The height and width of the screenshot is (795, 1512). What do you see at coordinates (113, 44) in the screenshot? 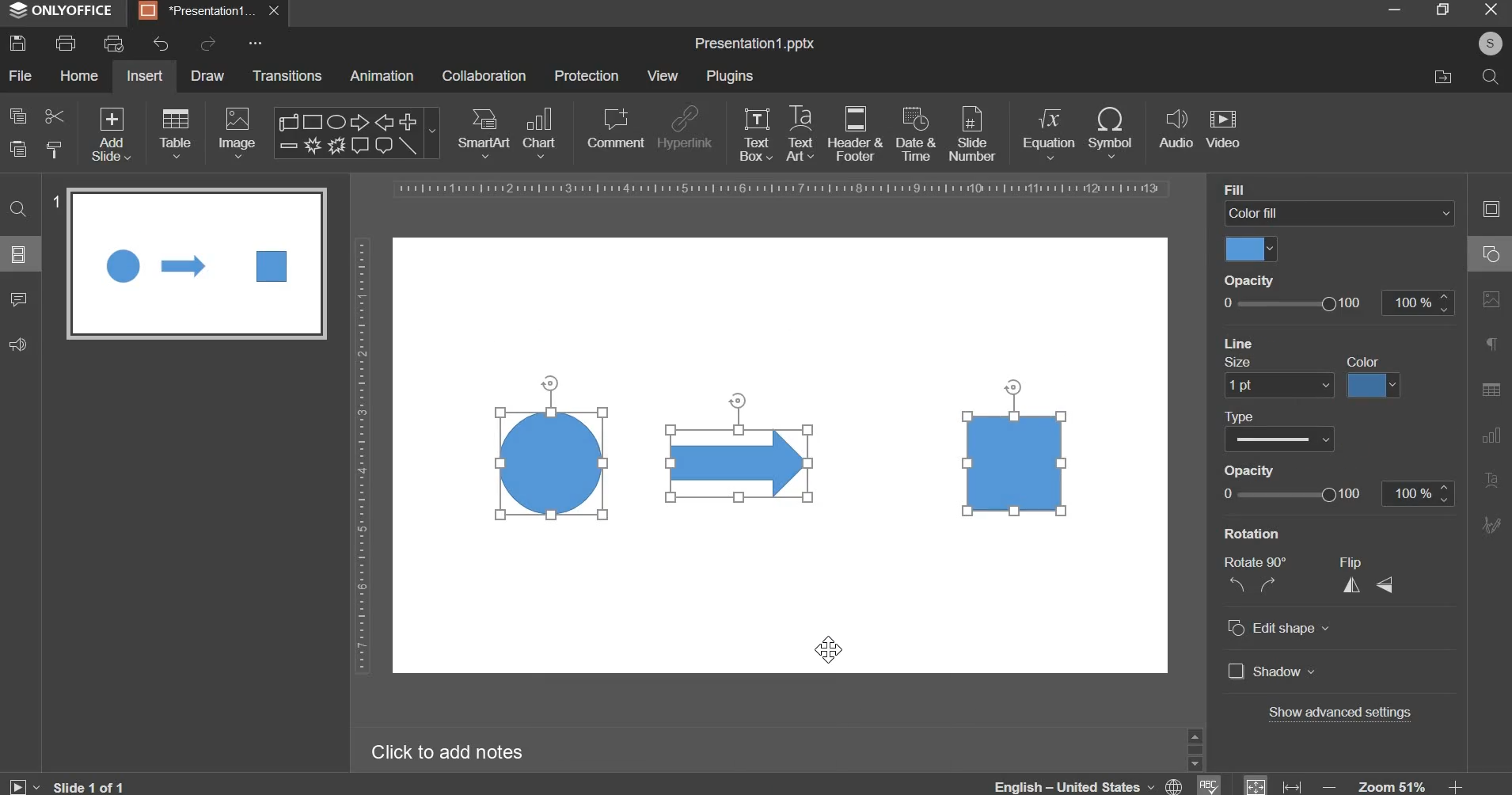
I see `print preview` at bounding box center [113, 44].